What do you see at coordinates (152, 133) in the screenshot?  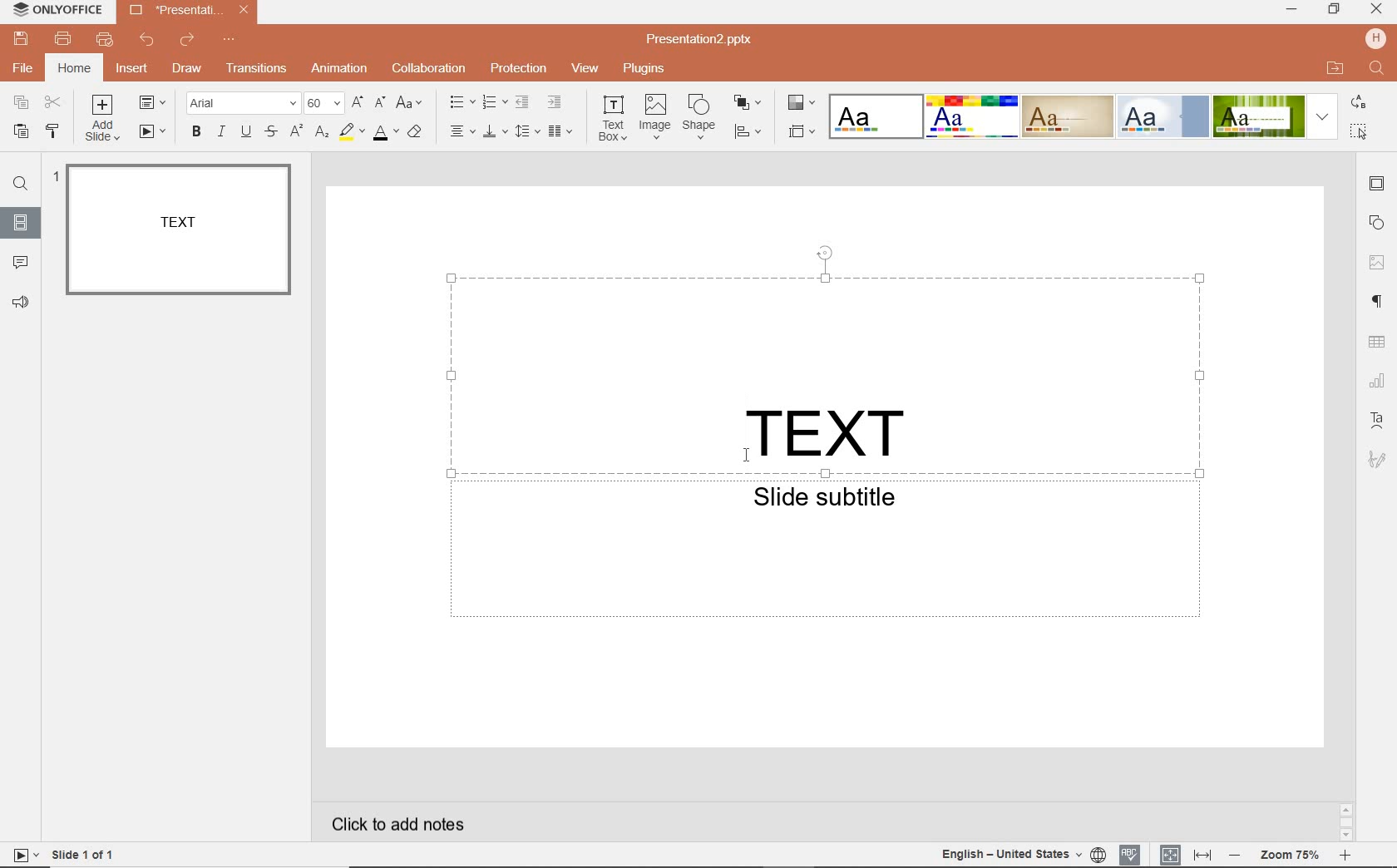 I see `START SLIDESHOW` at bounding box center [152, 133].